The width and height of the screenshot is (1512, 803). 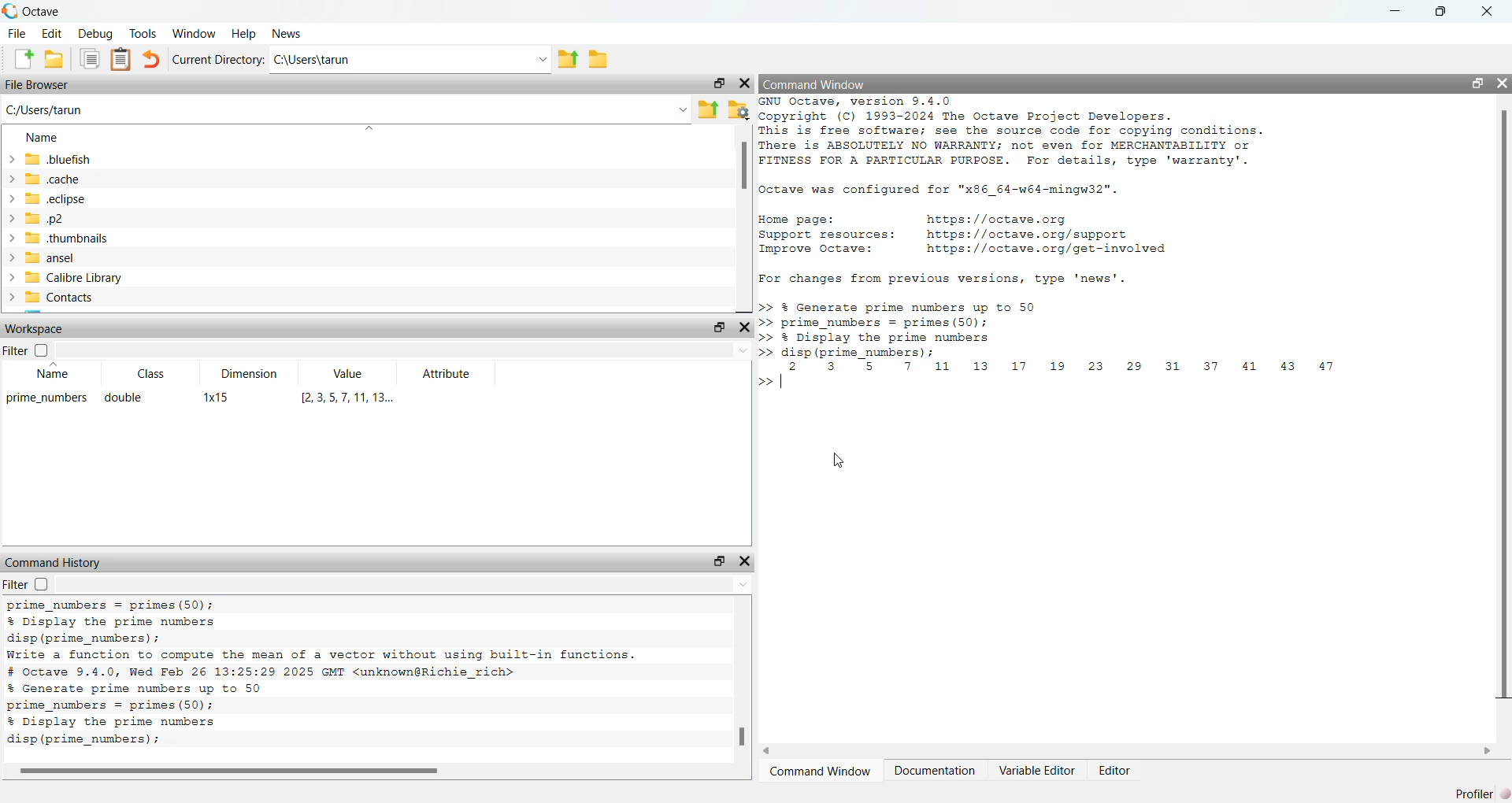 What do you see at coordinates (43, 139) in the screenshot?
I see `name` at bounding box center [43, 139].